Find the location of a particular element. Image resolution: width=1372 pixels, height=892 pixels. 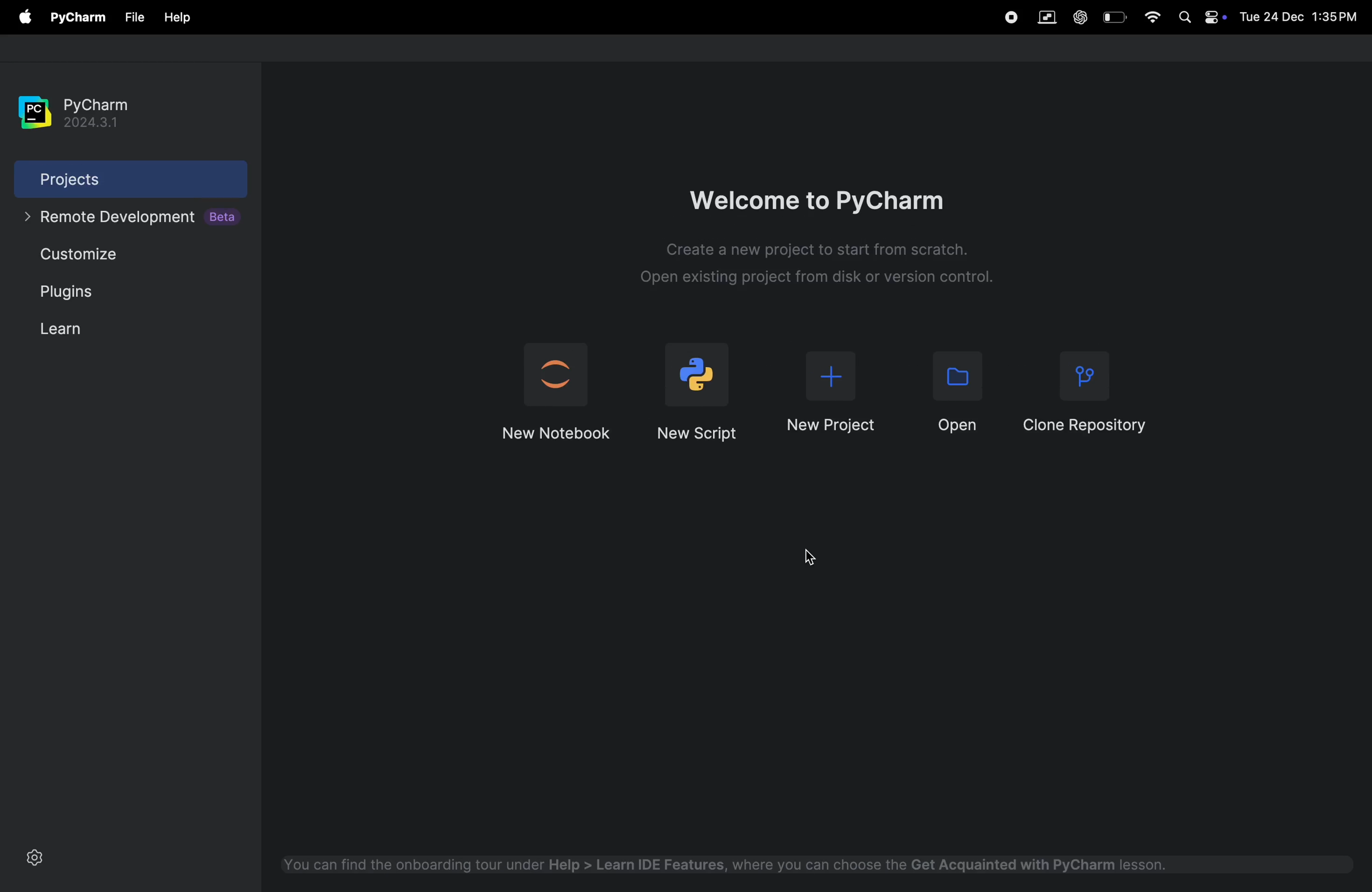

date and time is located at coordinates (1299, 14).